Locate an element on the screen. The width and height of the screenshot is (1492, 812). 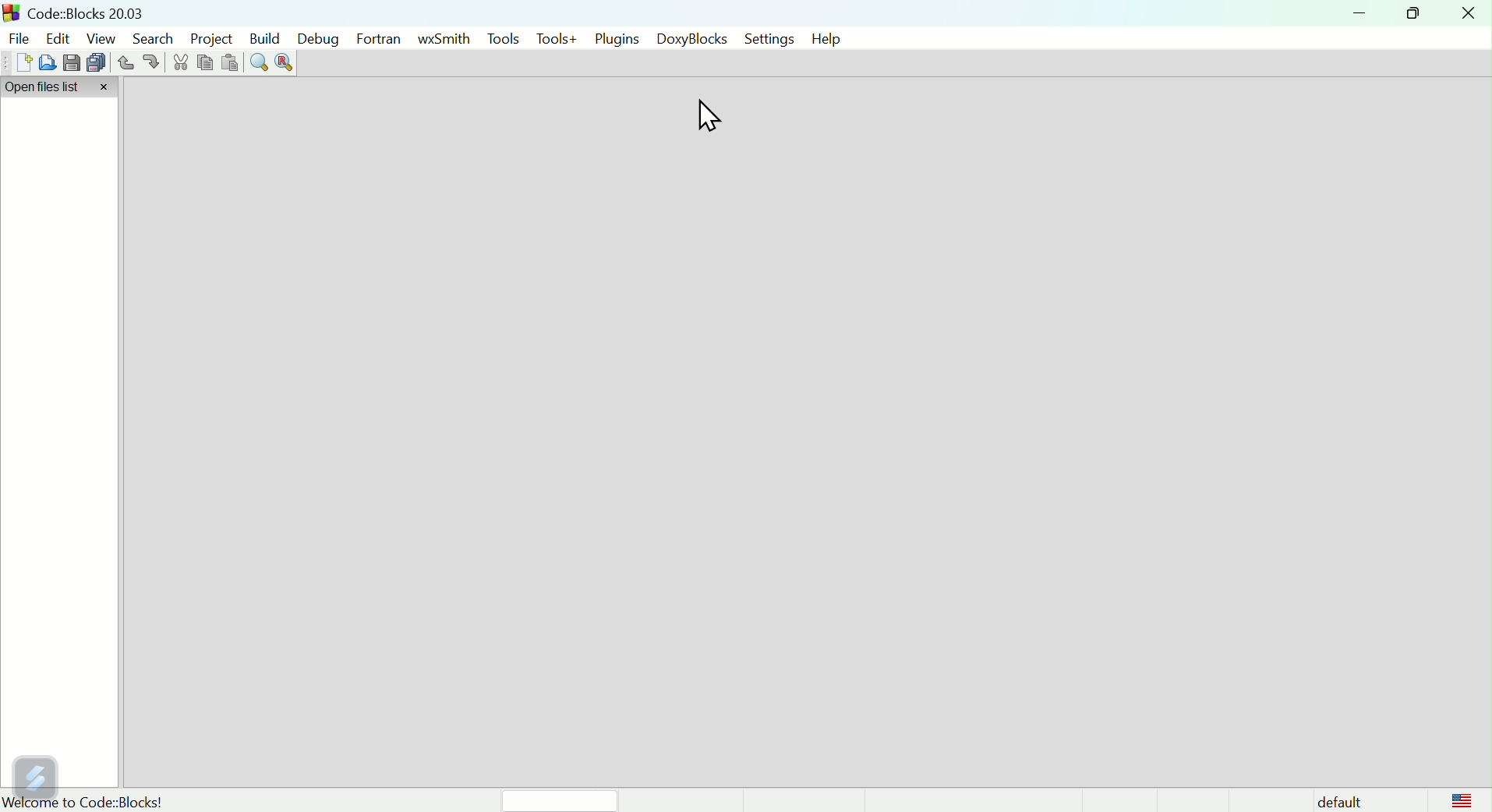
tools is located at coordinates (504, 41).